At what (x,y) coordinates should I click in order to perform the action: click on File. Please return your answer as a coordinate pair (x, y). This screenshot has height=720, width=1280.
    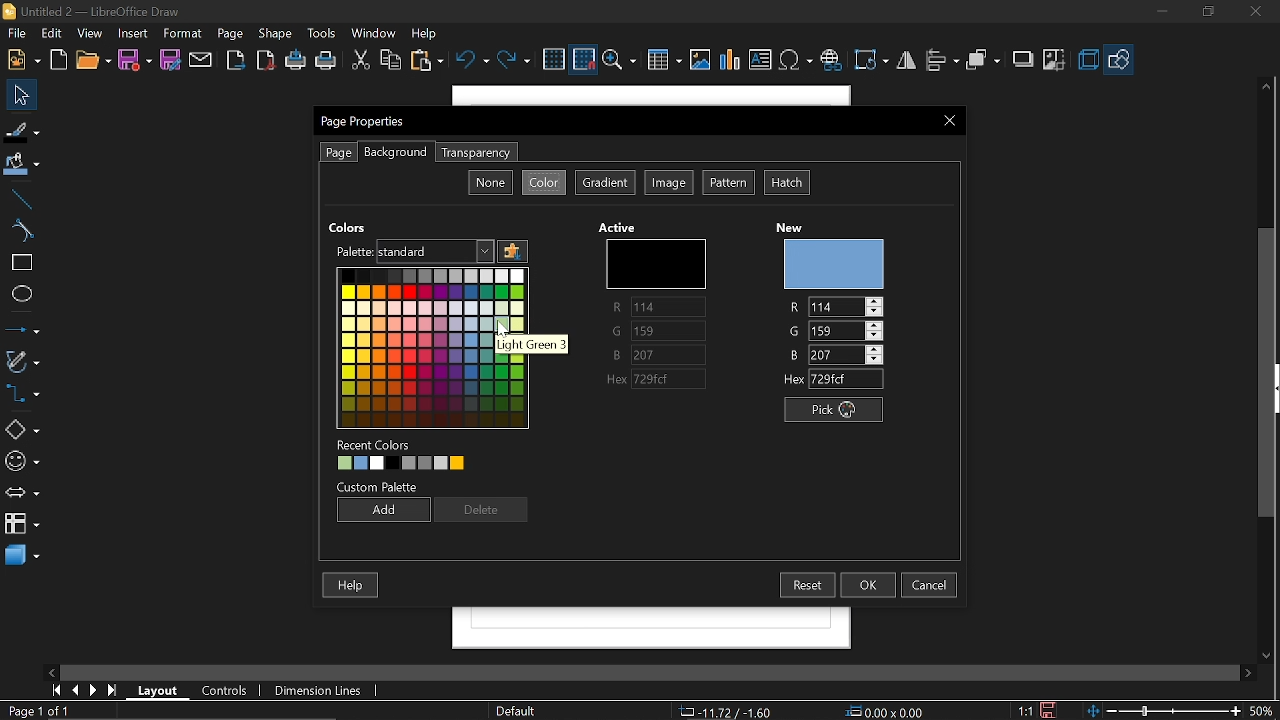
    Looking at the image, I should click on (18, 33).